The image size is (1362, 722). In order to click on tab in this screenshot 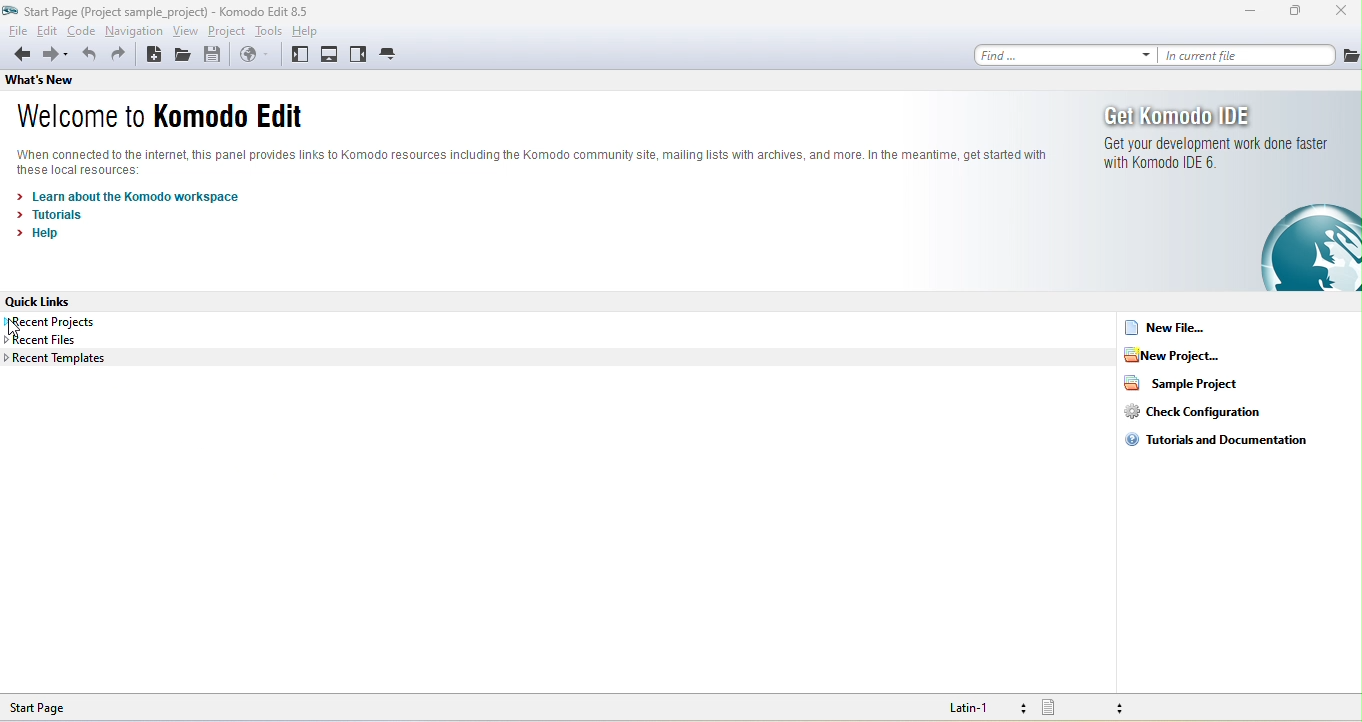, I will do `click(395, 54)`.